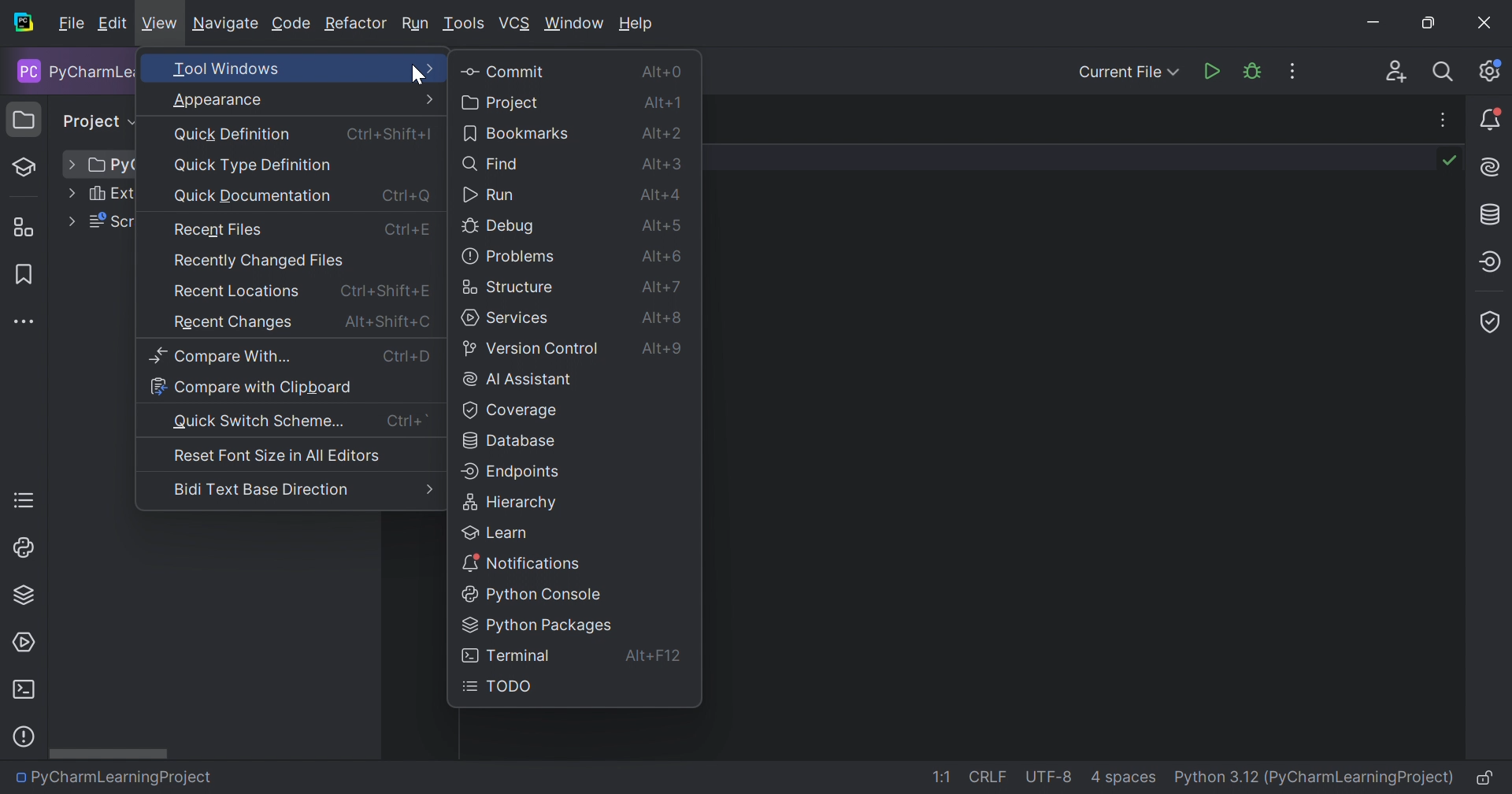  Describe the element at coordinates (237, 291) in the screenshot. I see `Recent Locations` at that location.